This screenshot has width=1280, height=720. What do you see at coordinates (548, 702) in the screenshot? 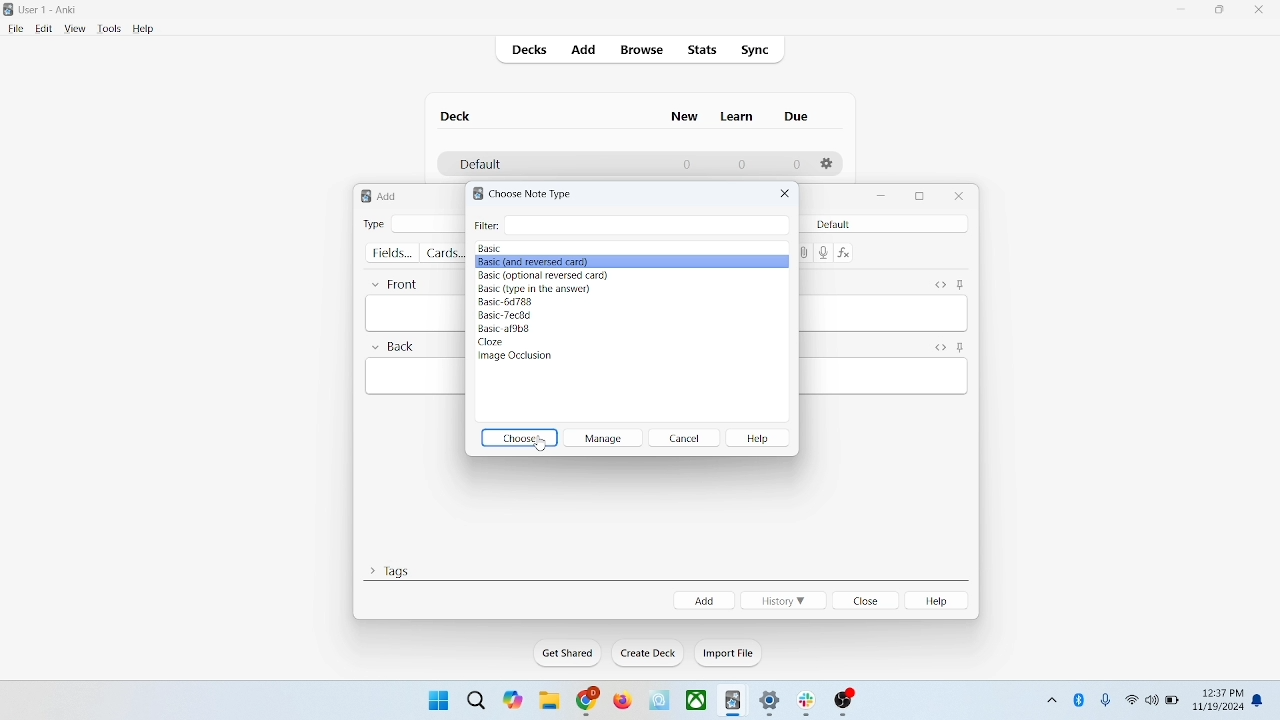
I see `folder` at bounding box center [548, 702].